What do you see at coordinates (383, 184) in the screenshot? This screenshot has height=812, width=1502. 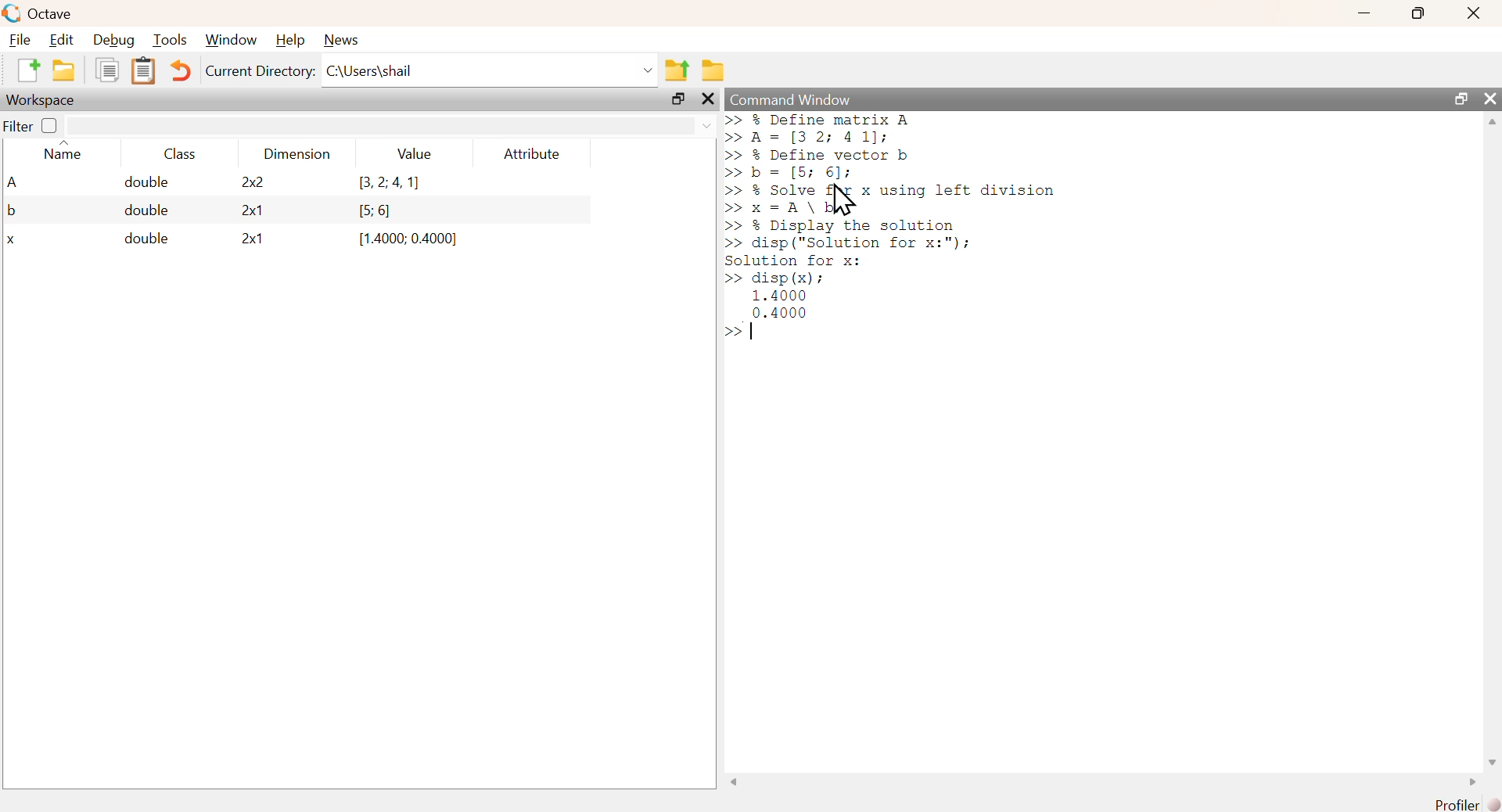 I see `(3,2,4,1)` at bounding box center [383, 184].